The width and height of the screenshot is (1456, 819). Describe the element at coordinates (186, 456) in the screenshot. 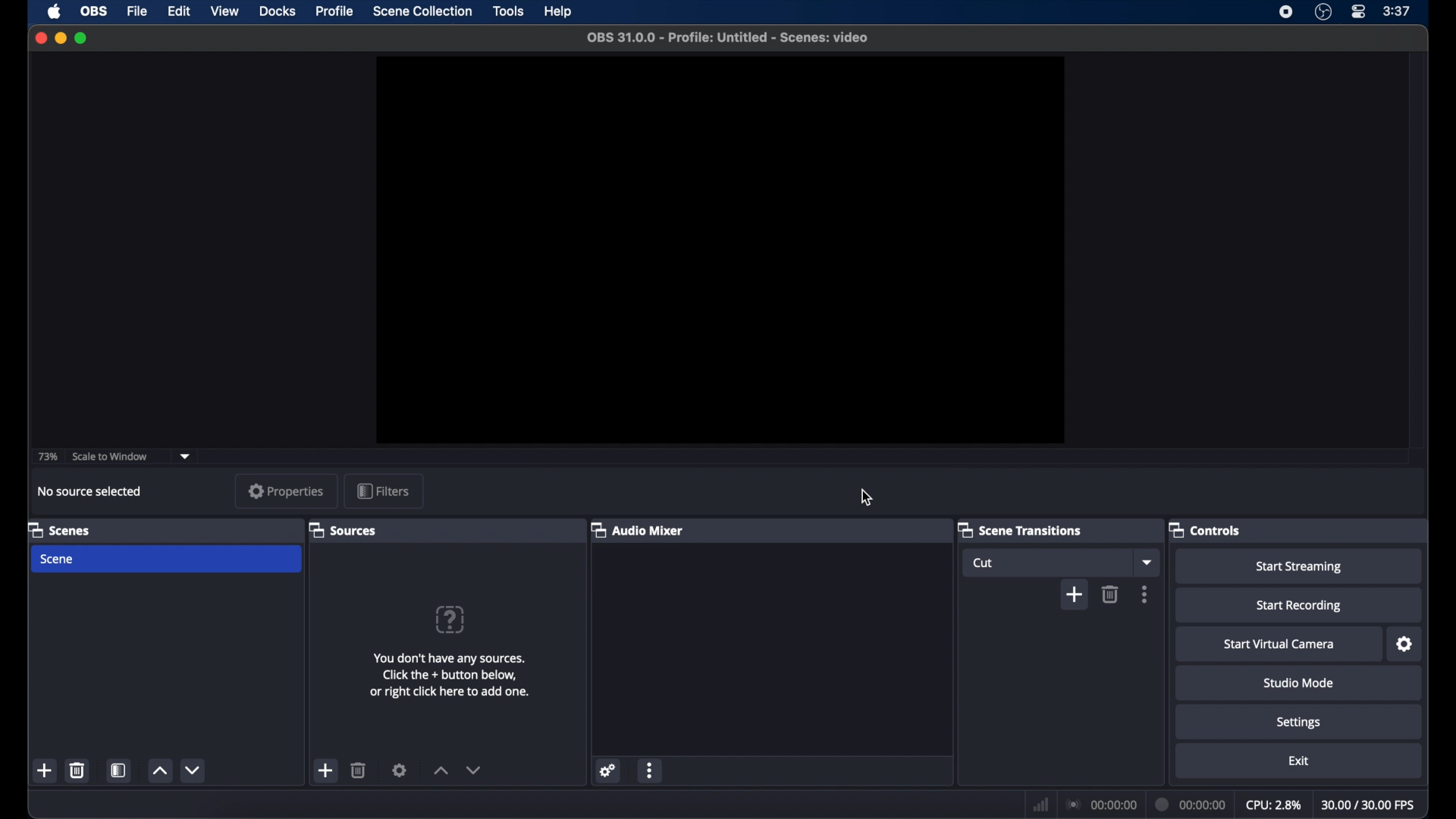

I see `dropdown` at that location.